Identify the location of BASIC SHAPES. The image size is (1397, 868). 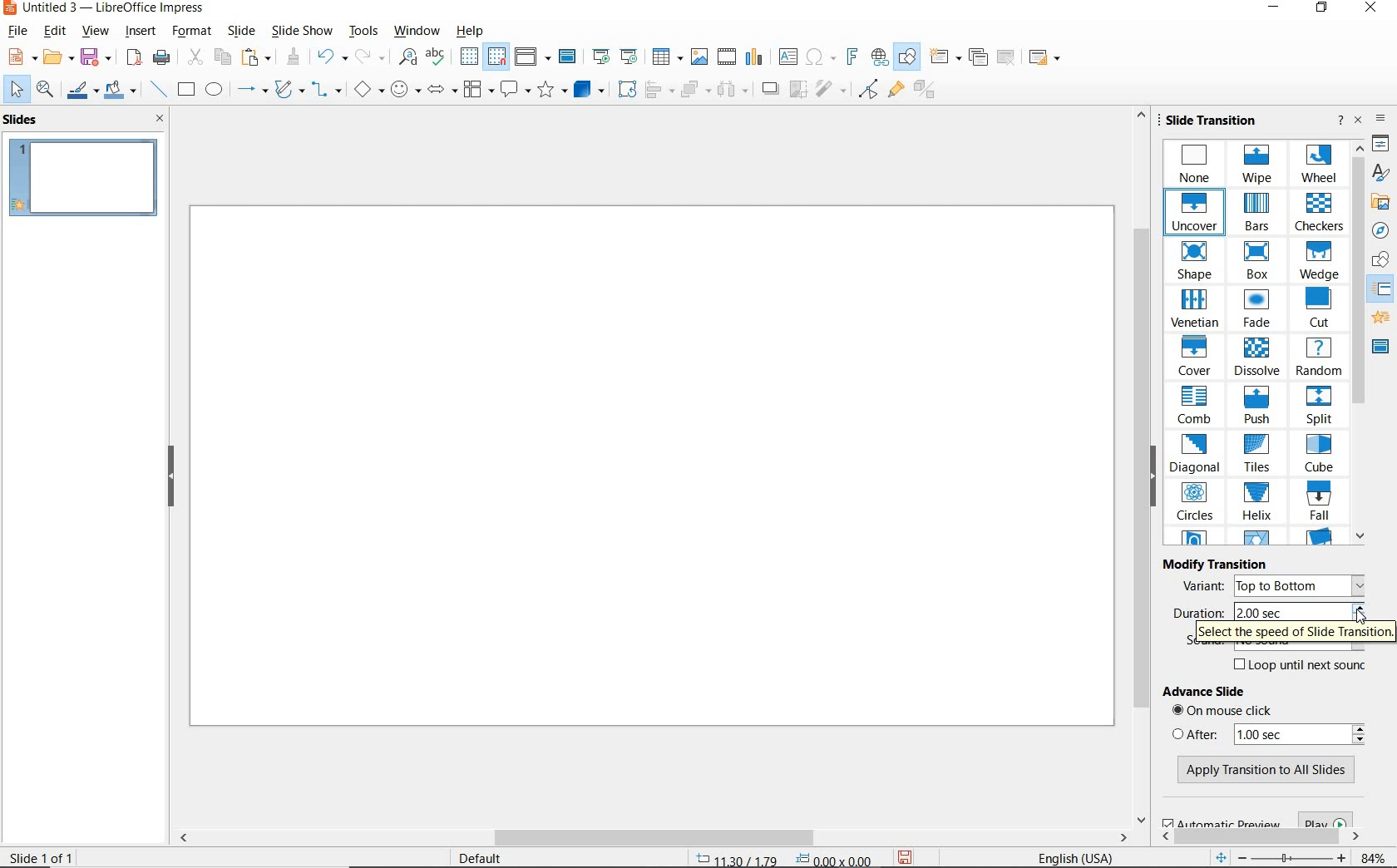
(368, 89).